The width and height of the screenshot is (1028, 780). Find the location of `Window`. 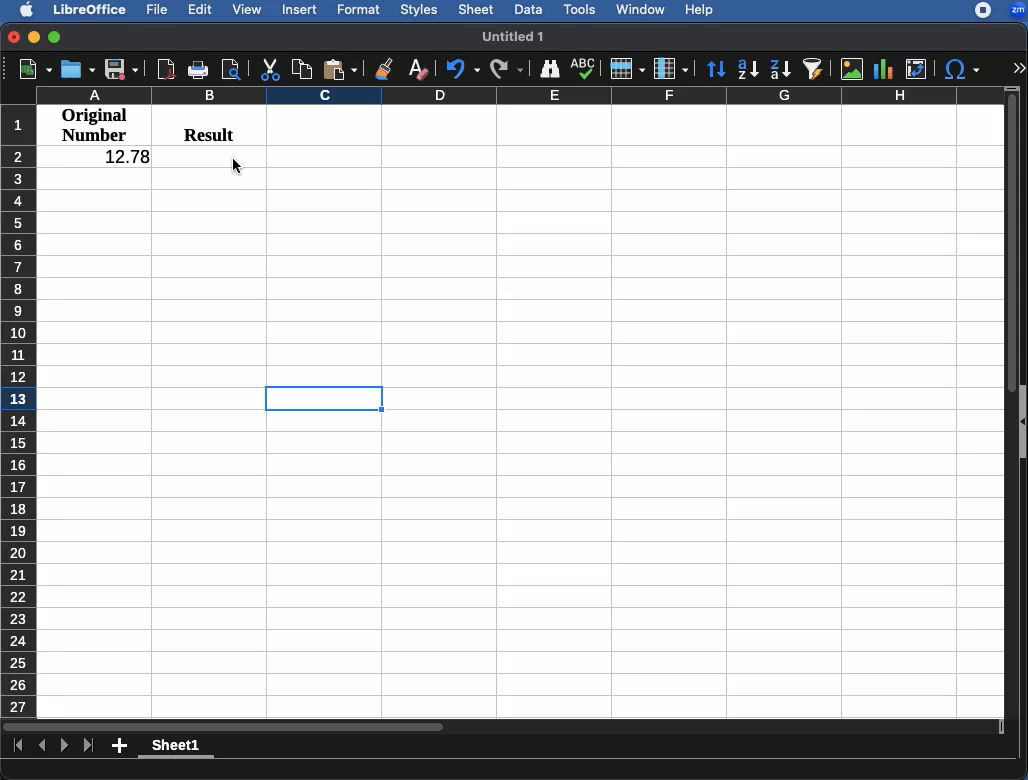

Window is located at coordinates (641, 10).